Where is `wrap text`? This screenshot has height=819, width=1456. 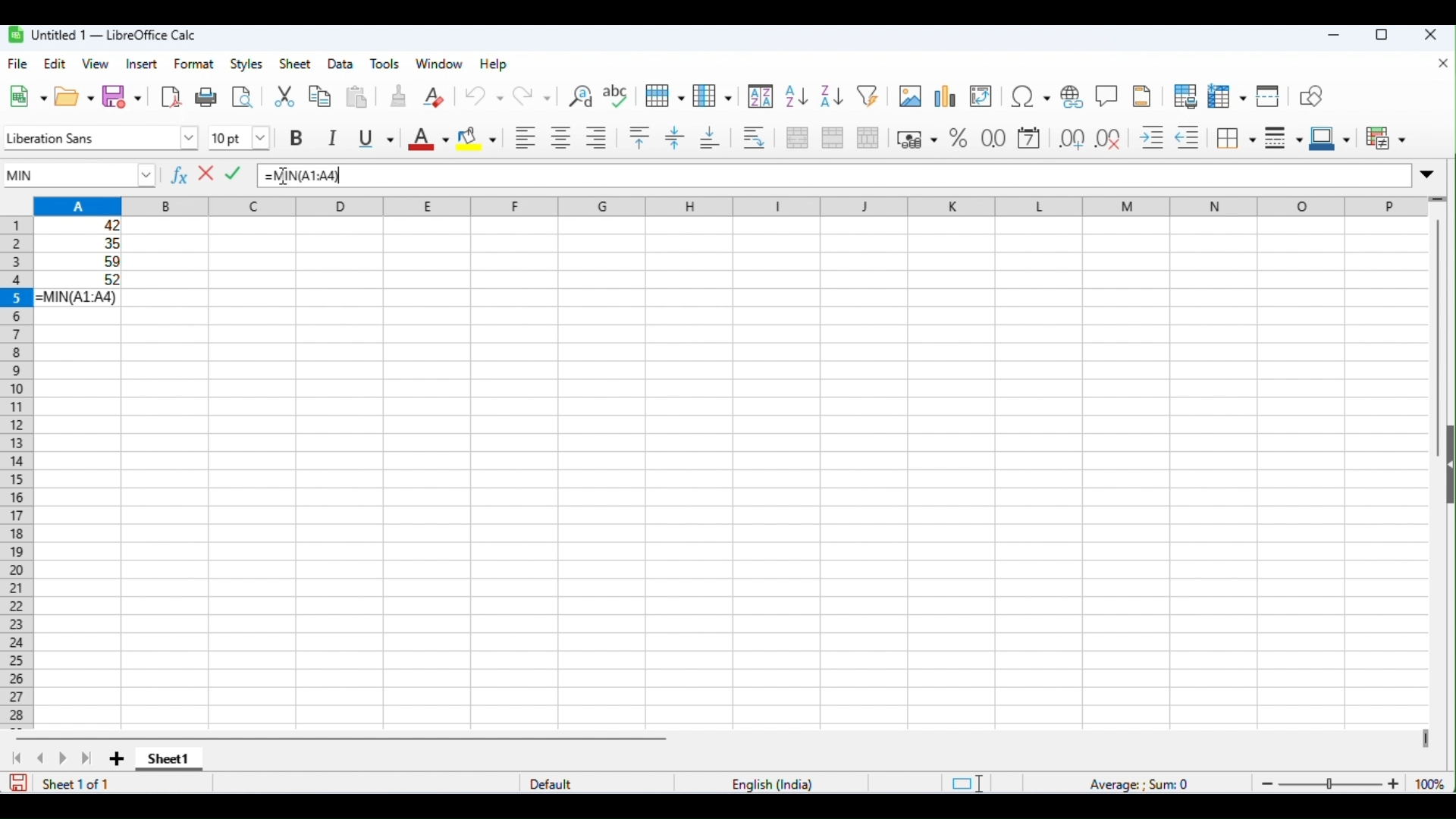 wrap text is located at coordinates (755, 137).